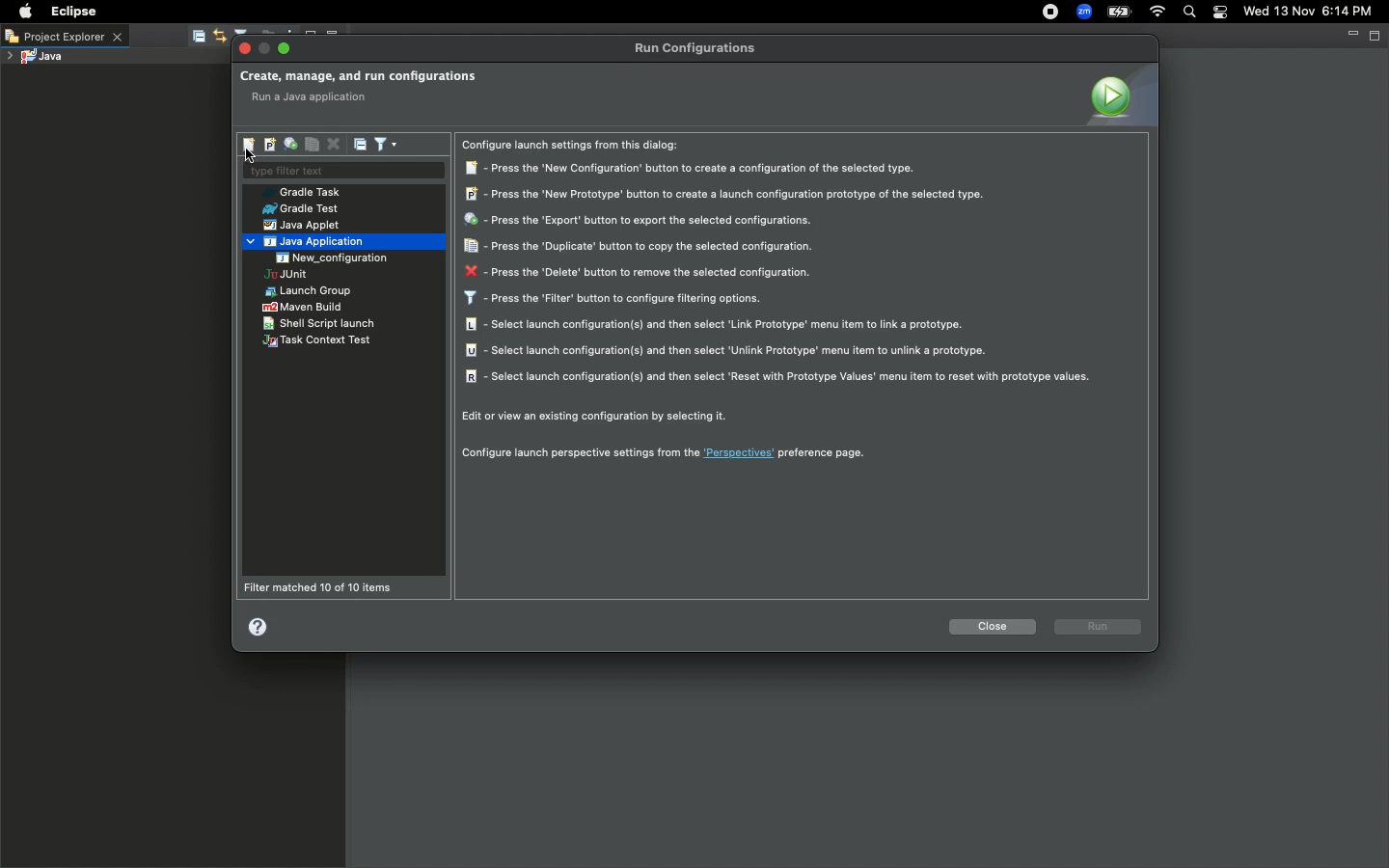 The height and width of the screenshot is (868, 1389). Describe the element at coordinates (23, 12) in the screenshot. I see `Apple logo` at that location.